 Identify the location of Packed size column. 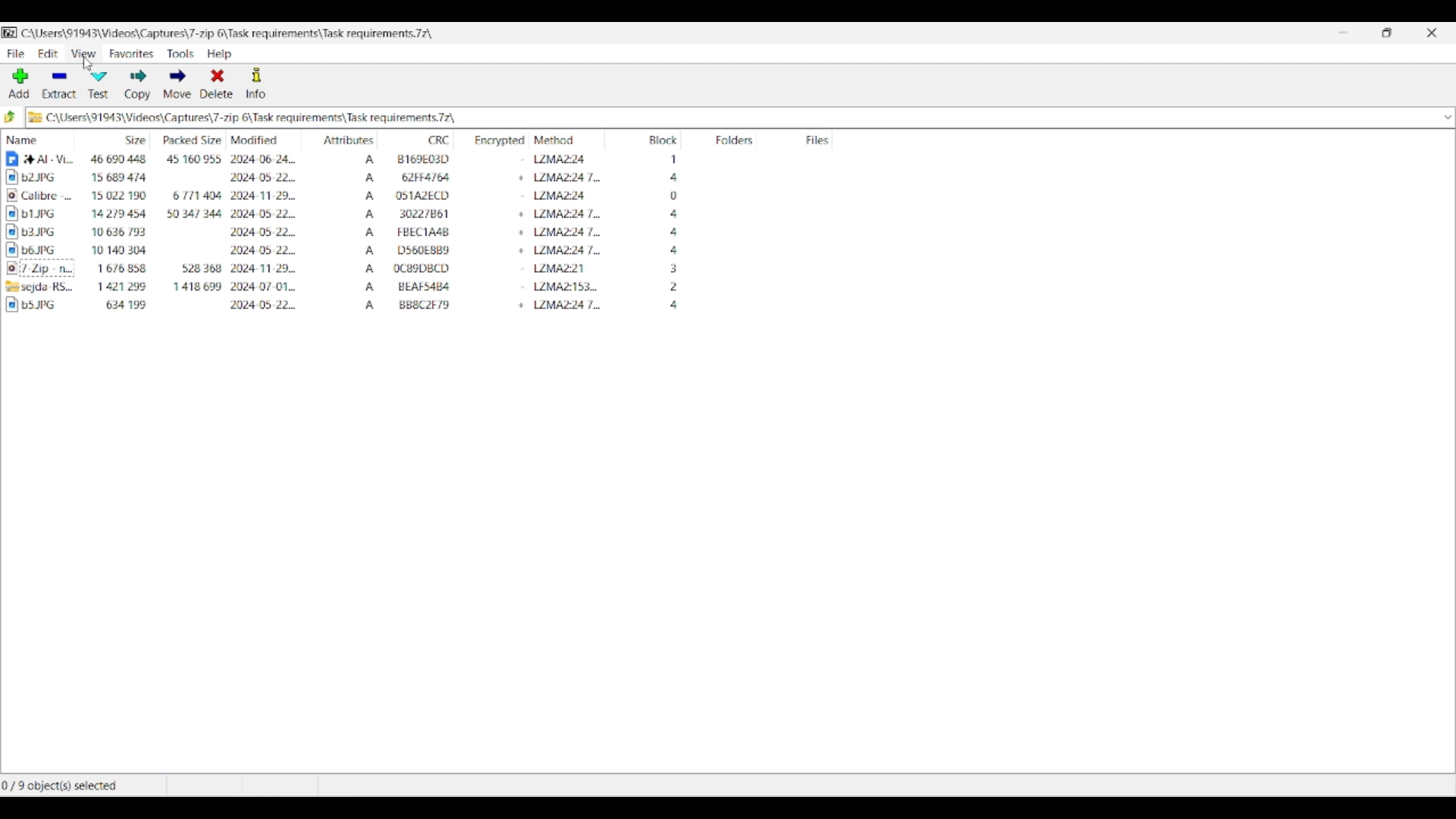
(189, 138).